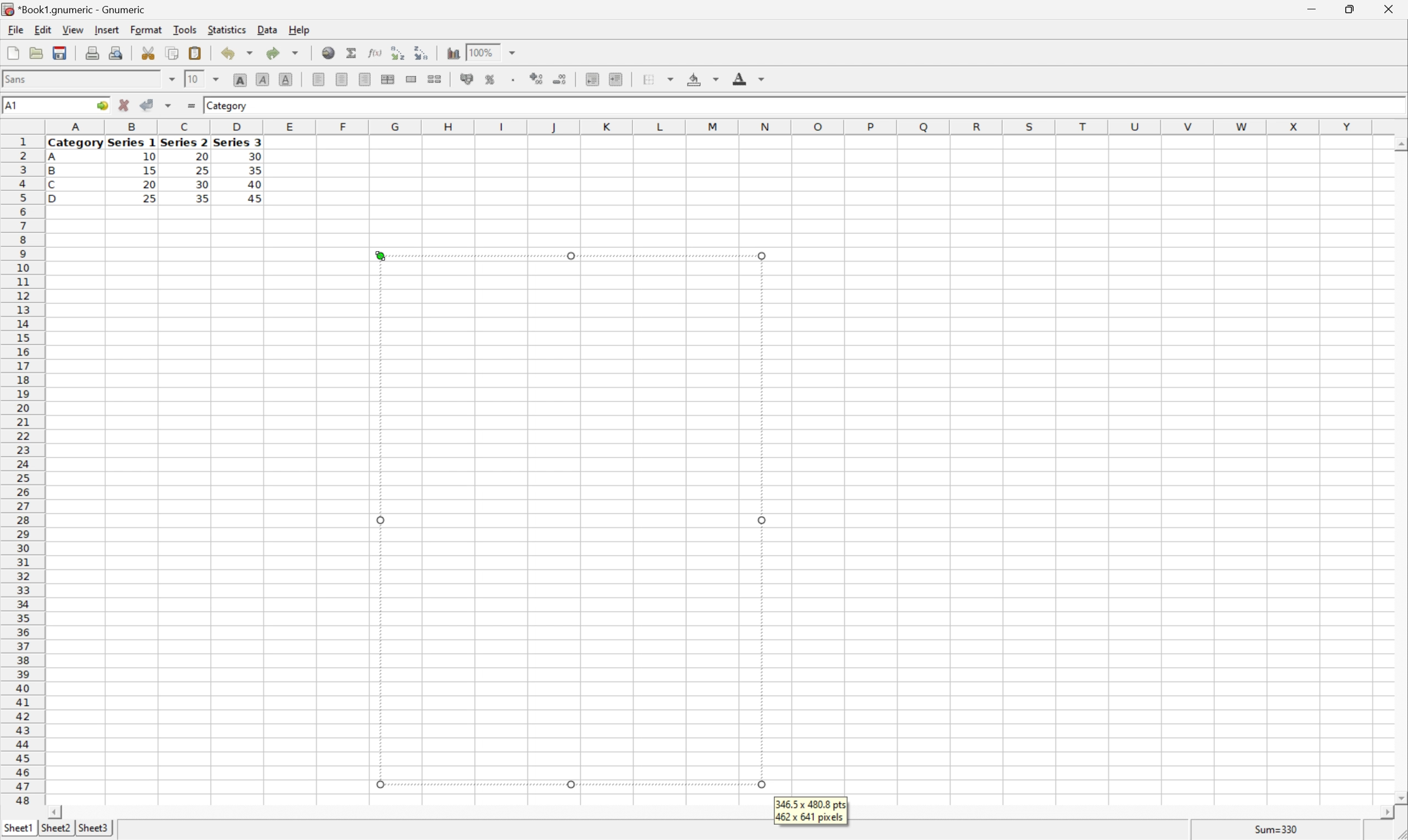 Image resolution: width=1408 pixels, height=840 pixels. I want to click on Redo, so click(281, 52).